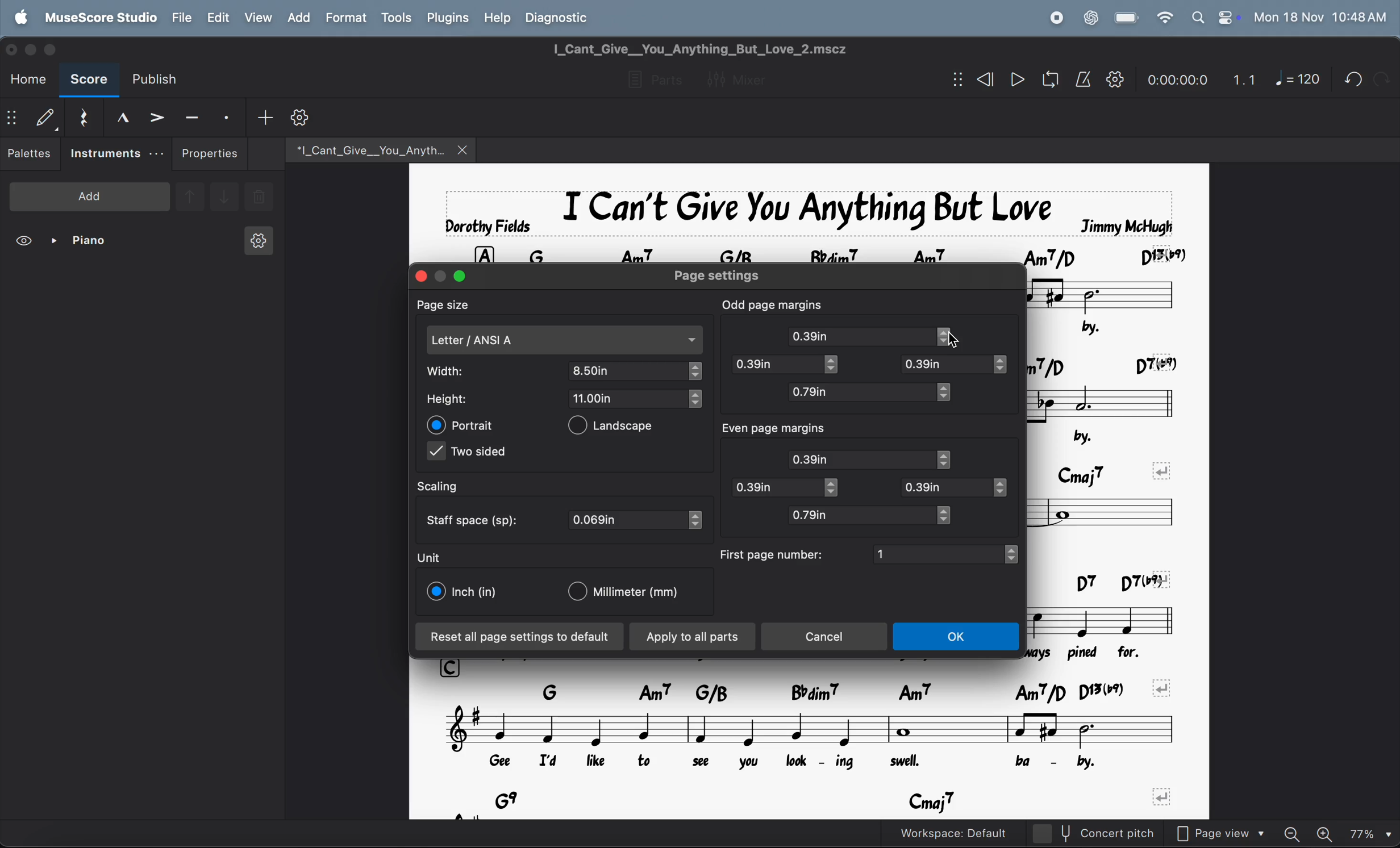 The width and height of the screenshot is (1400, 848). Describe the element at coordinates (156, 116) in the screenshot. I see `accent` at that location.